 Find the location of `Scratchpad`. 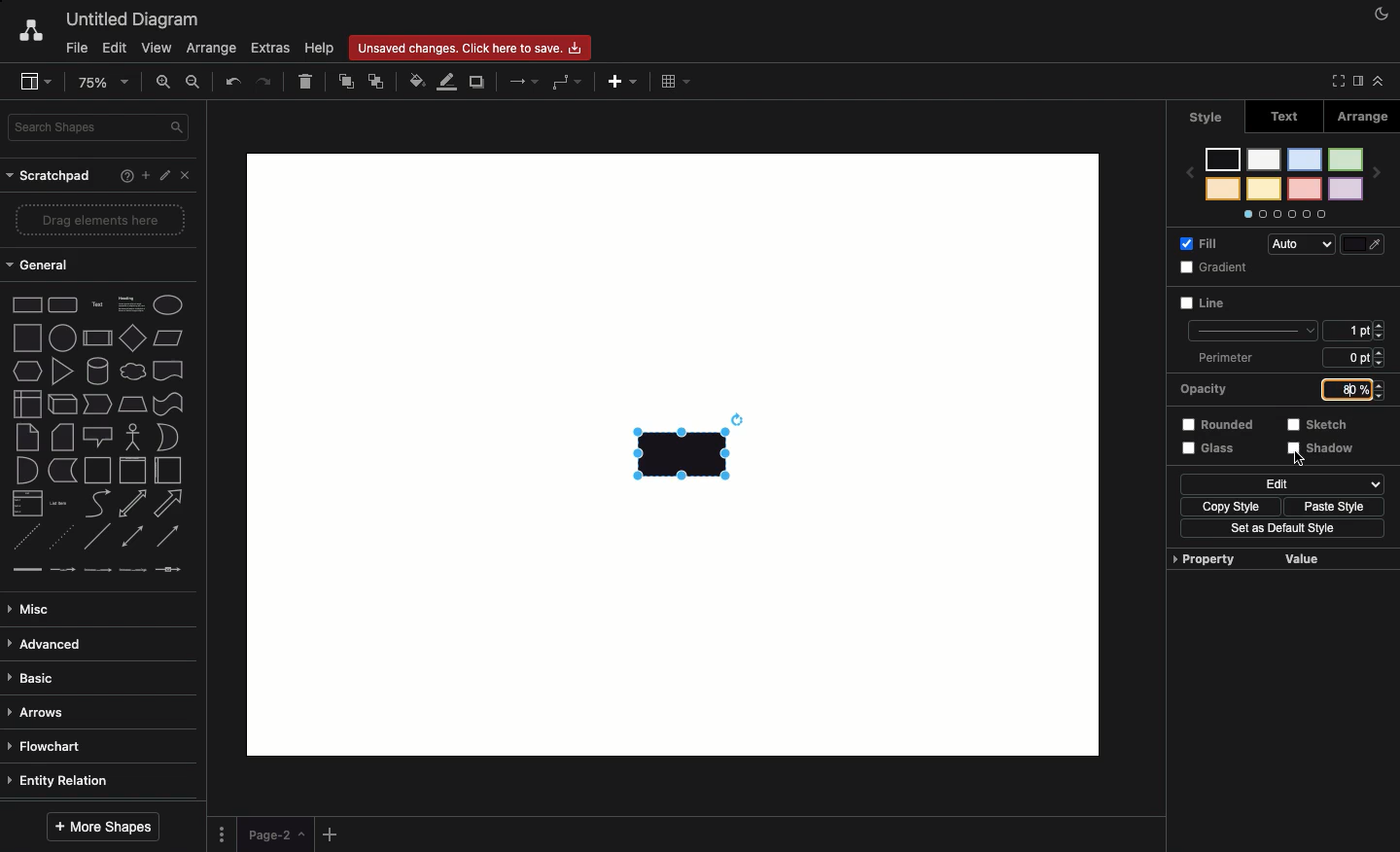

Scratchpad is located at coordinates (48, 179).